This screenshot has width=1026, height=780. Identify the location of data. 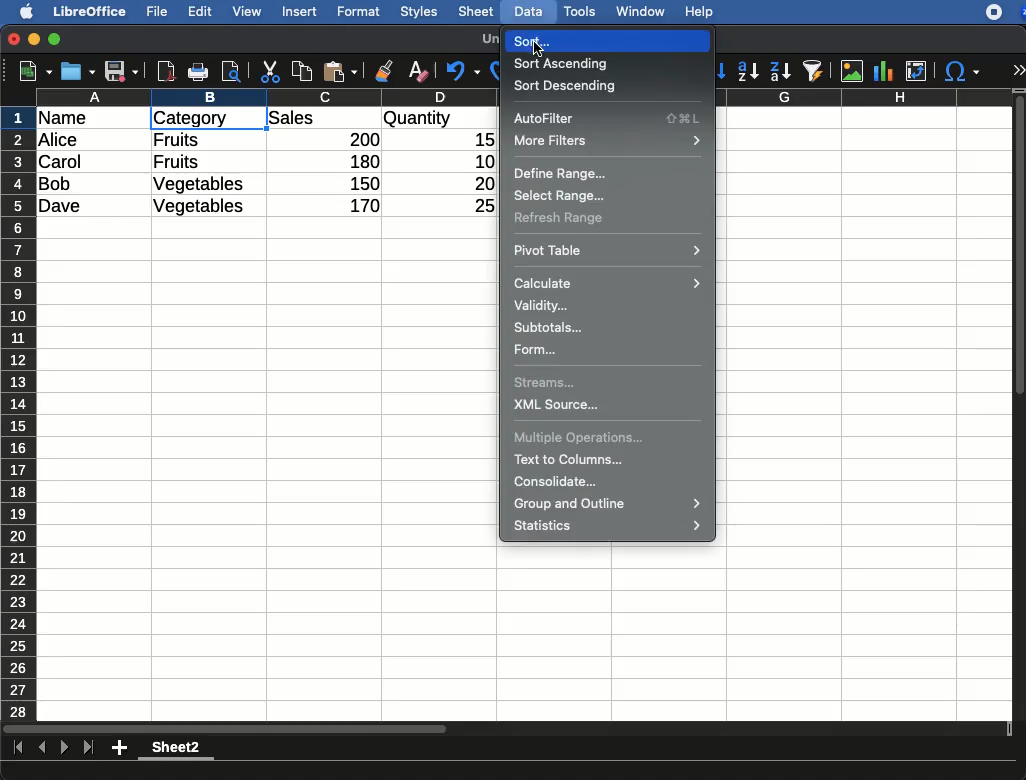
(528, 9).